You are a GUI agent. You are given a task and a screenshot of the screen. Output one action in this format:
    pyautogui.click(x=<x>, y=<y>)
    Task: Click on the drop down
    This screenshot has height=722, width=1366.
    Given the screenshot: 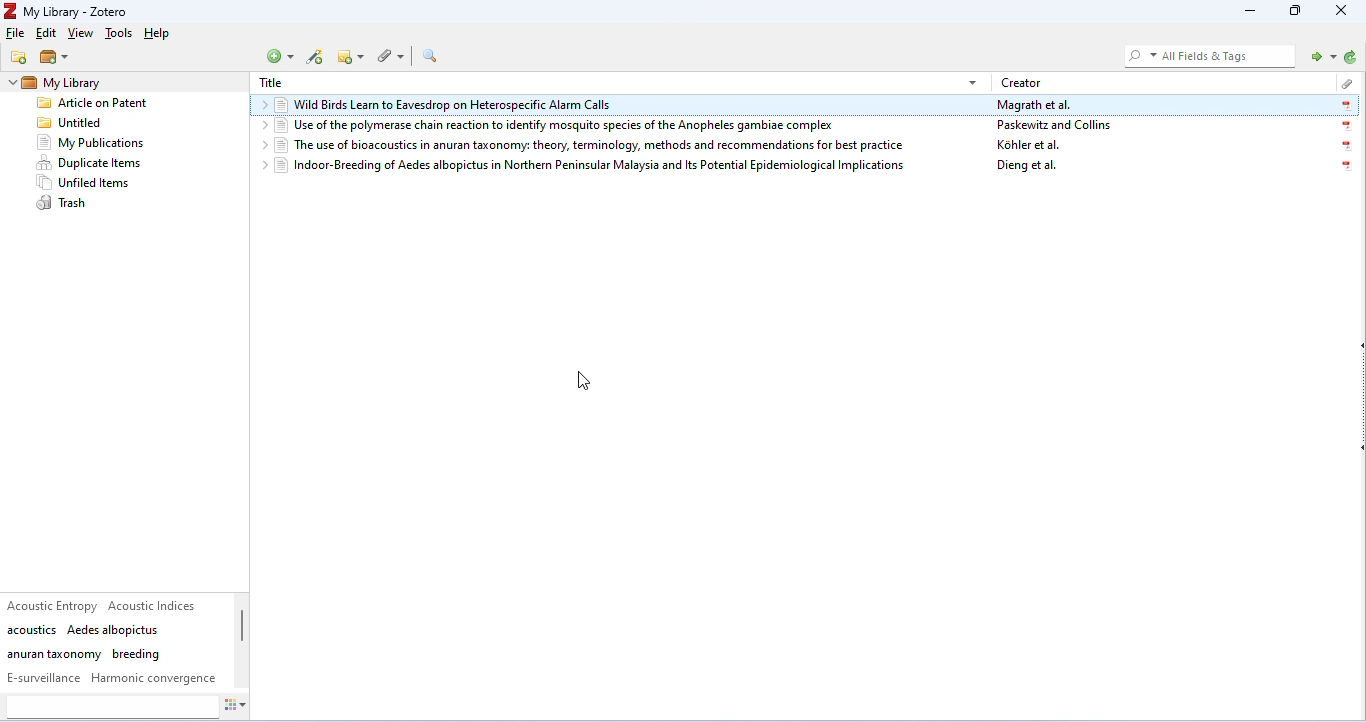 What is the action you would take?
    pyautogui.click(x=972, y=81)
    